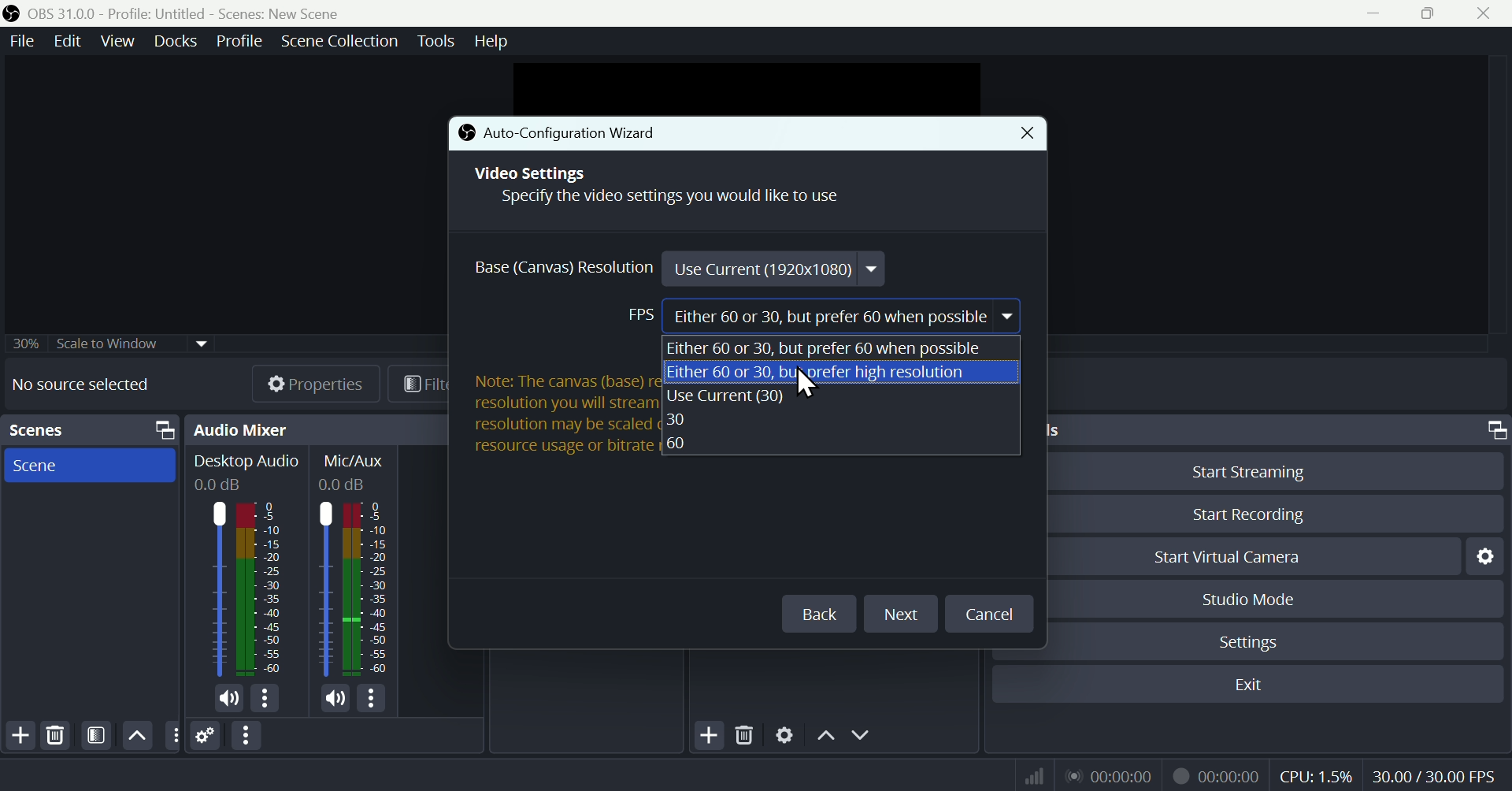  Describe the element at coordinates (301, 383) in the screenshot. I see `Properties` at that location.